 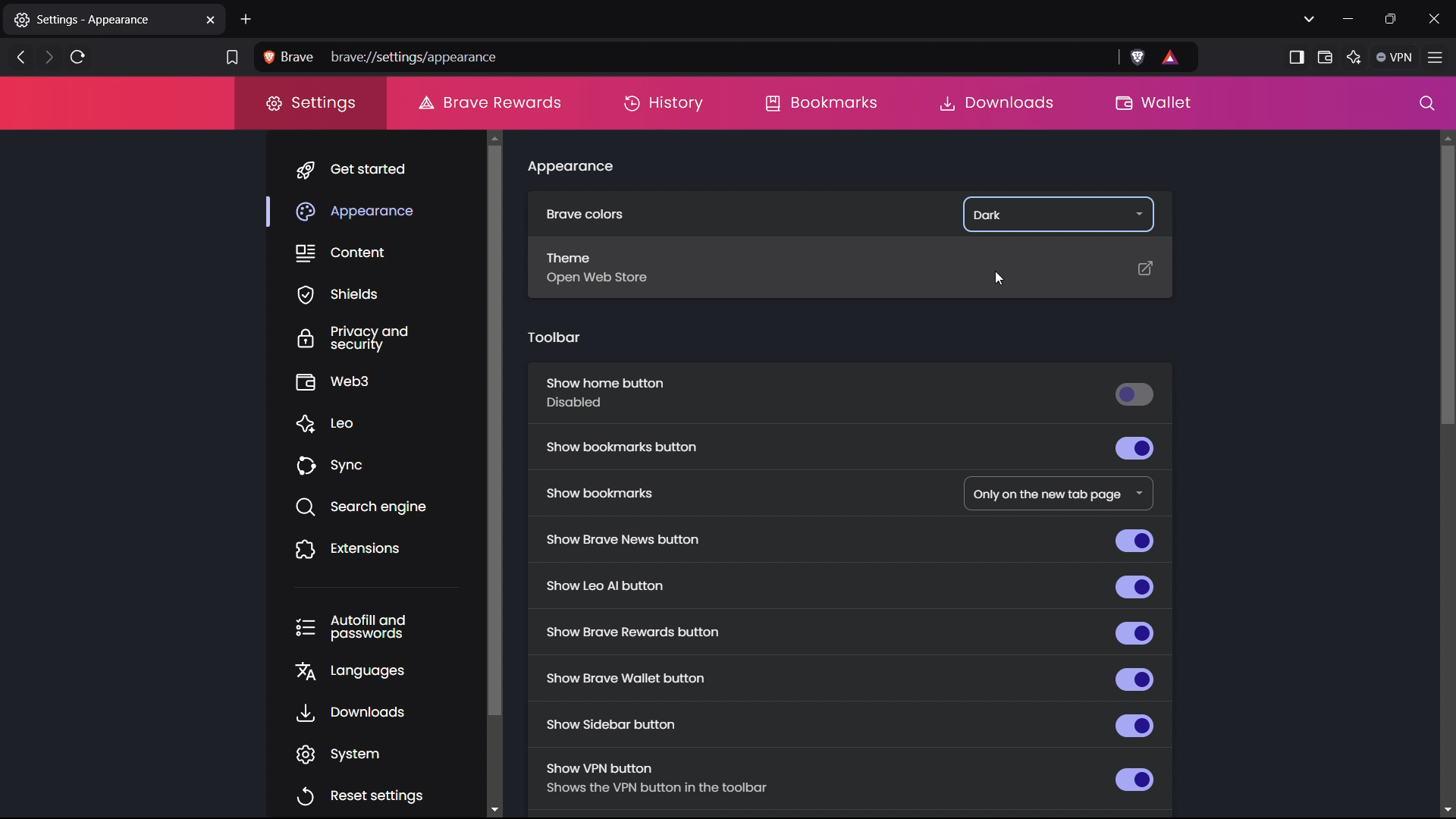 I want to click on downloads, so click(x=384, y=709).